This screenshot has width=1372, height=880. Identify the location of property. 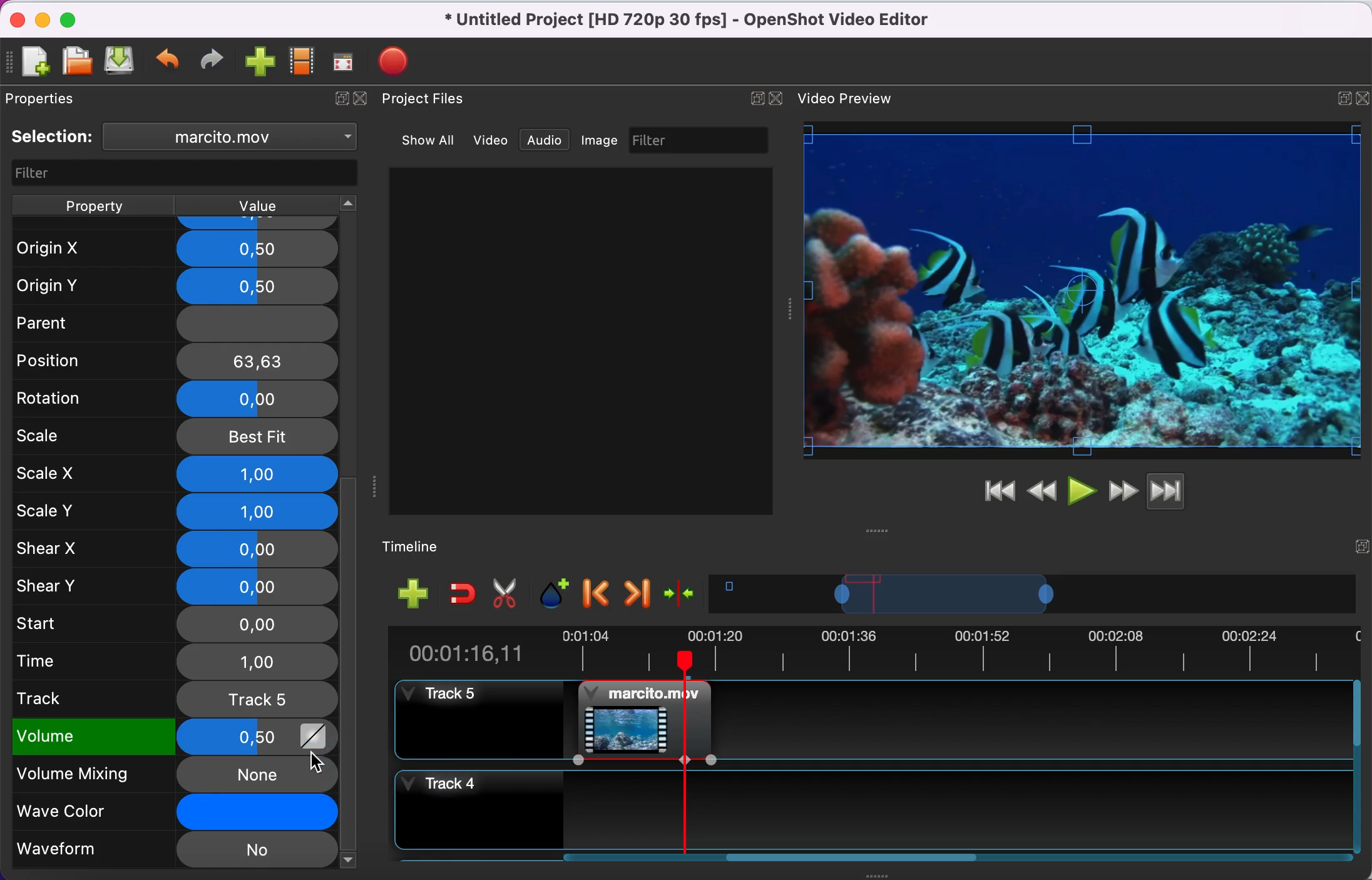
(95, 204).